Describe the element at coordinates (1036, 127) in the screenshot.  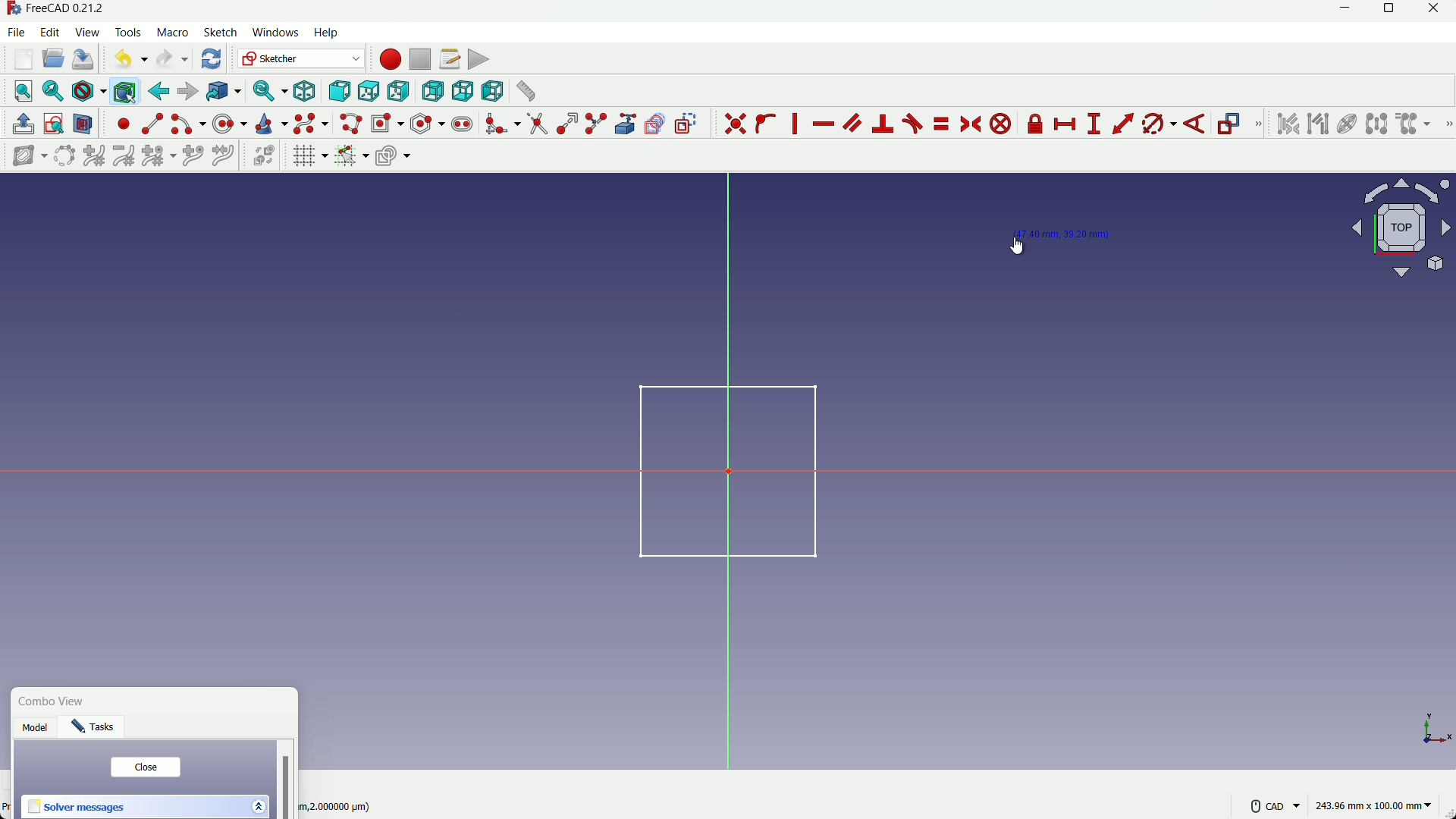
I see `constraint lock` at that location.